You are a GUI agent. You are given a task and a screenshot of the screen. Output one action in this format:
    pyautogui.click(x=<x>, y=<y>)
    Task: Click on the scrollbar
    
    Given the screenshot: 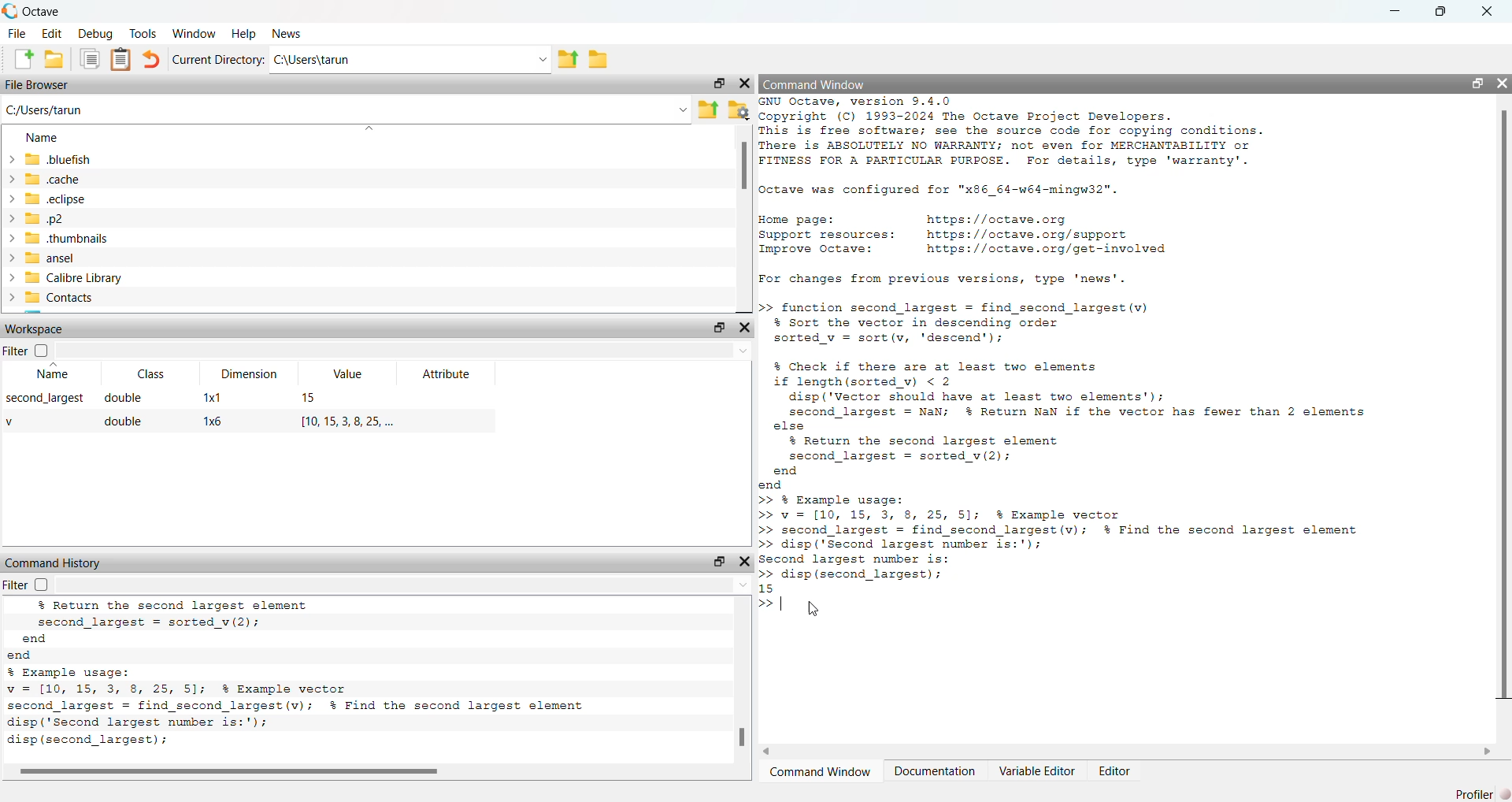 What is the action you would take?
    pyautogui.click(x=232, y=771)
    